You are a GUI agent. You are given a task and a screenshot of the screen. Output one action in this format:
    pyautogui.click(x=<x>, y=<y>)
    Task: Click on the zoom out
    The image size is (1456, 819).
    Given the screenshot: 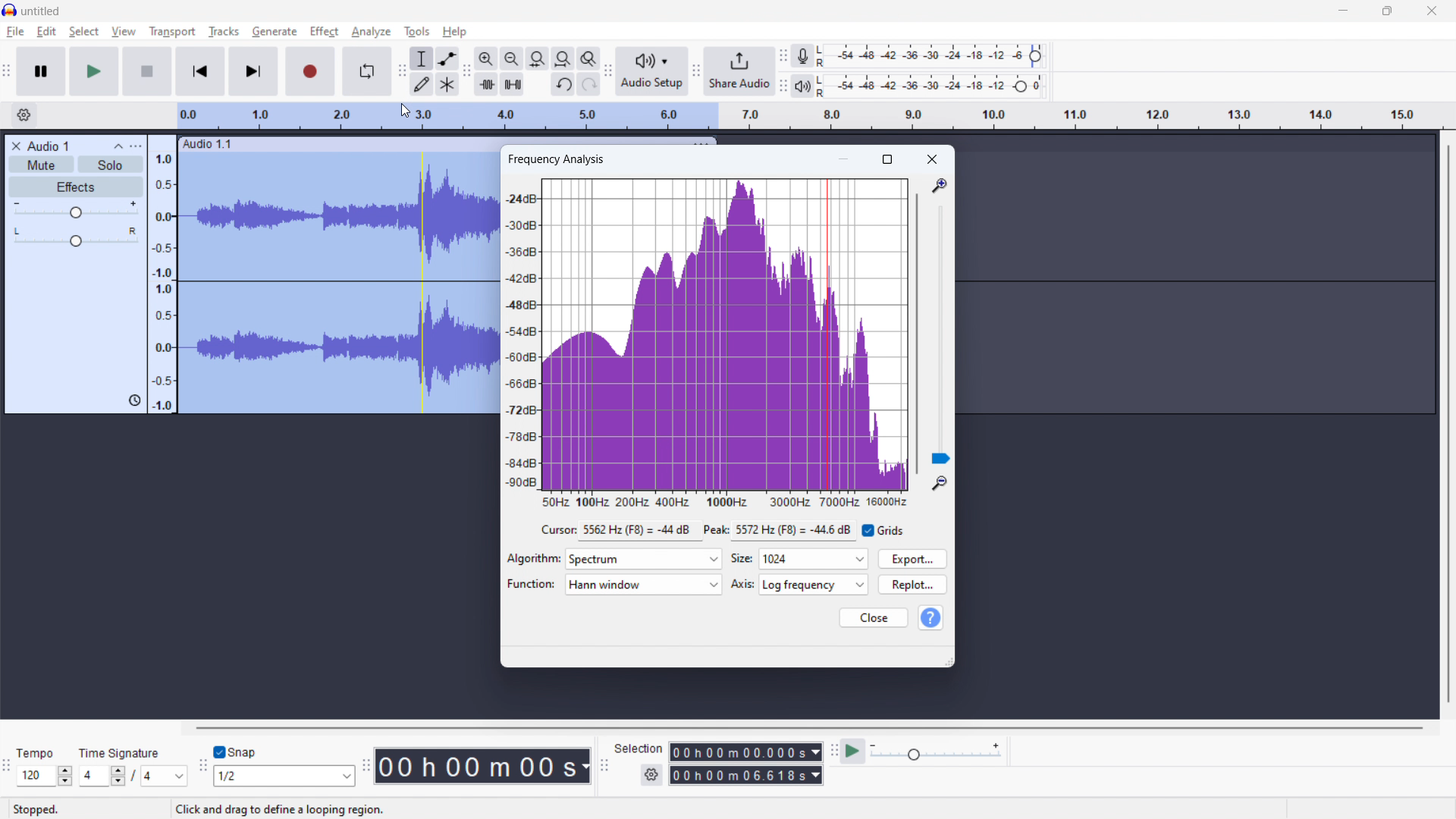 What is the action you would take?
    pyautogui.click(x=511, y=58)
    